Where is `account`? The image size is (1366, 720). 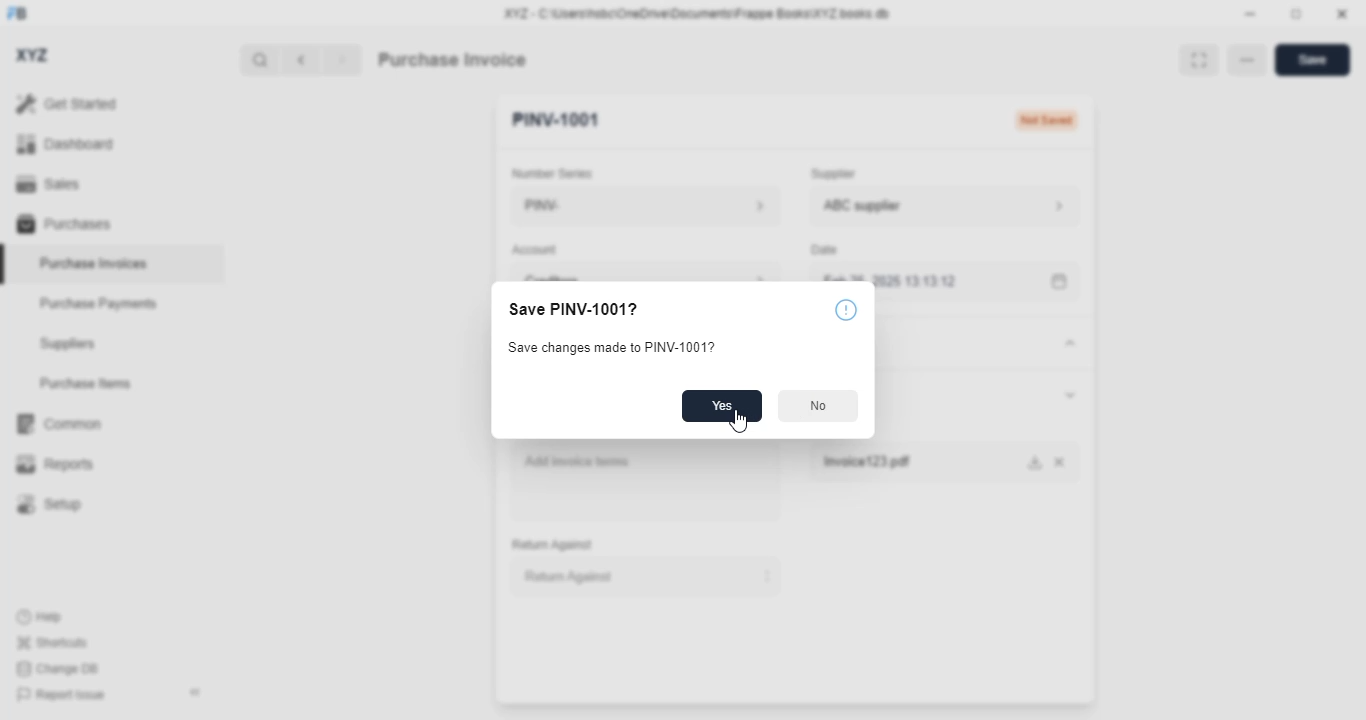 account is located at coordinates (536, 249).